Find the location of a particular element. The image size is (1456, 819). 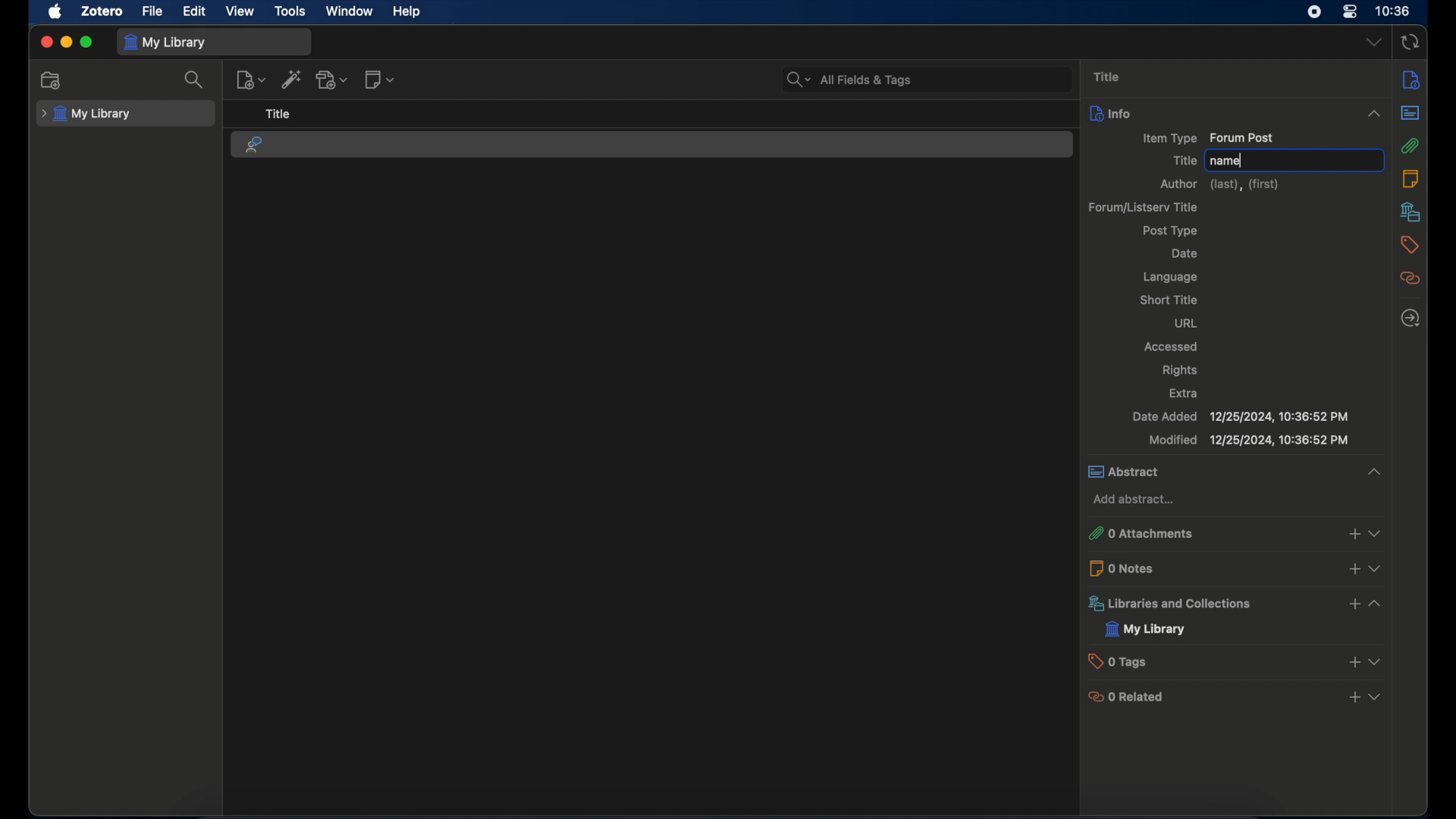

forum post is located at coordinates (255, 145).